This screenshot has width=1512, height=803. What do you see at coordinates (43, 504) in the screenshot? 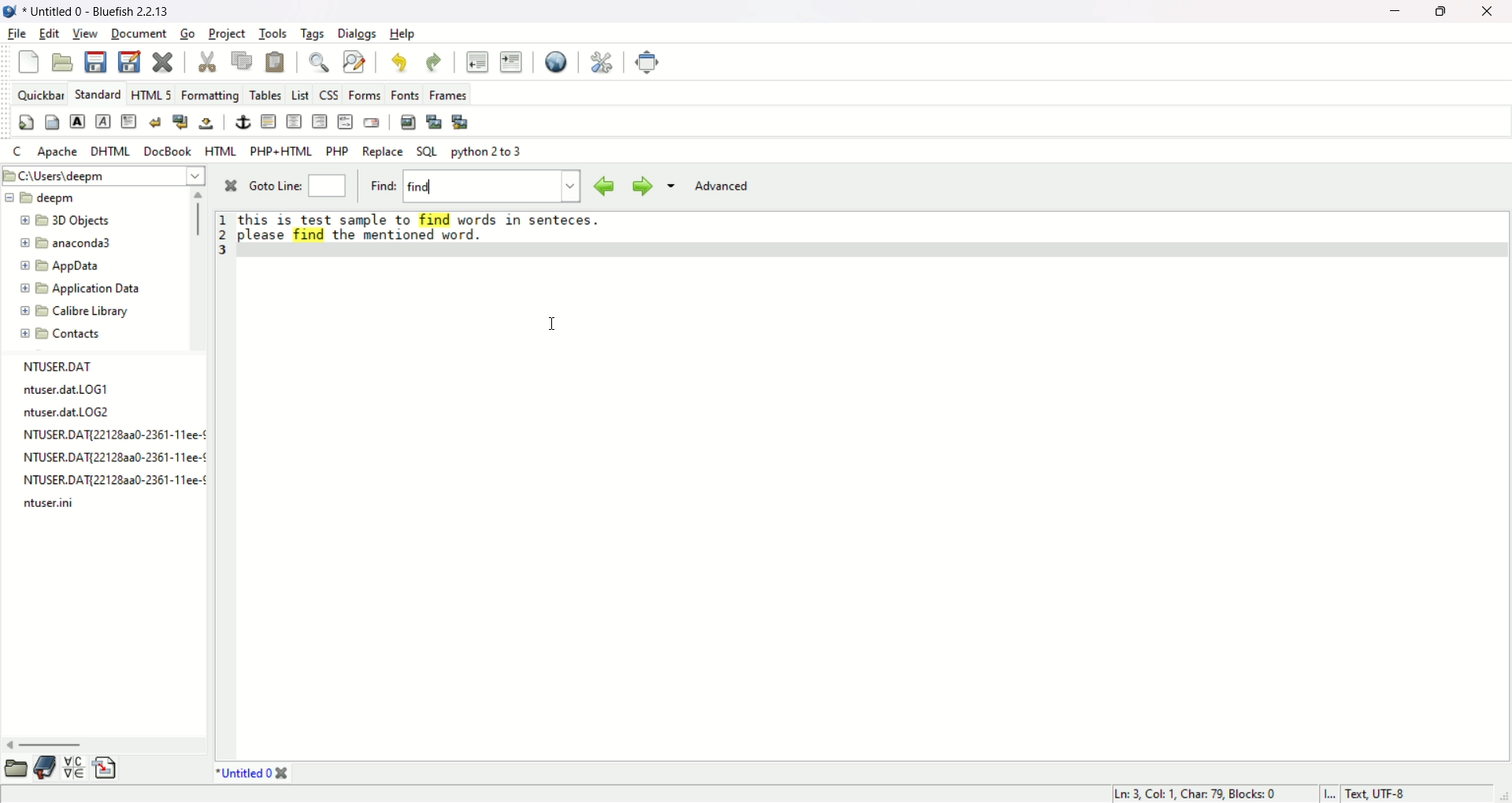
I see `ntuser.ini` at bounding box center [43, 504].